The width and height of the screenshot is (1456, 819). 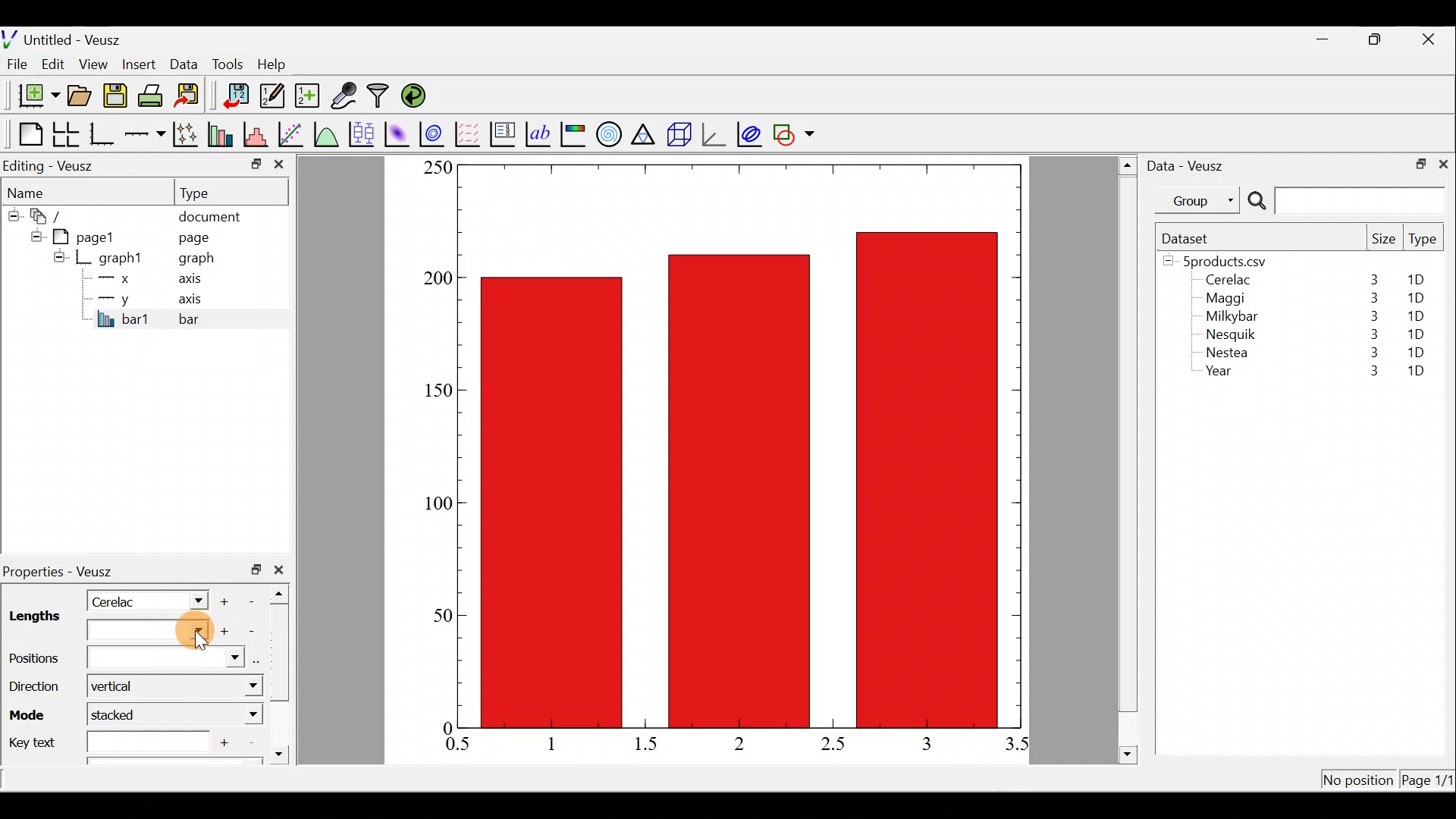 What do you see at coordinates (118, 278) in the screenshot?
I see `x` at bounding box center [118, 278].